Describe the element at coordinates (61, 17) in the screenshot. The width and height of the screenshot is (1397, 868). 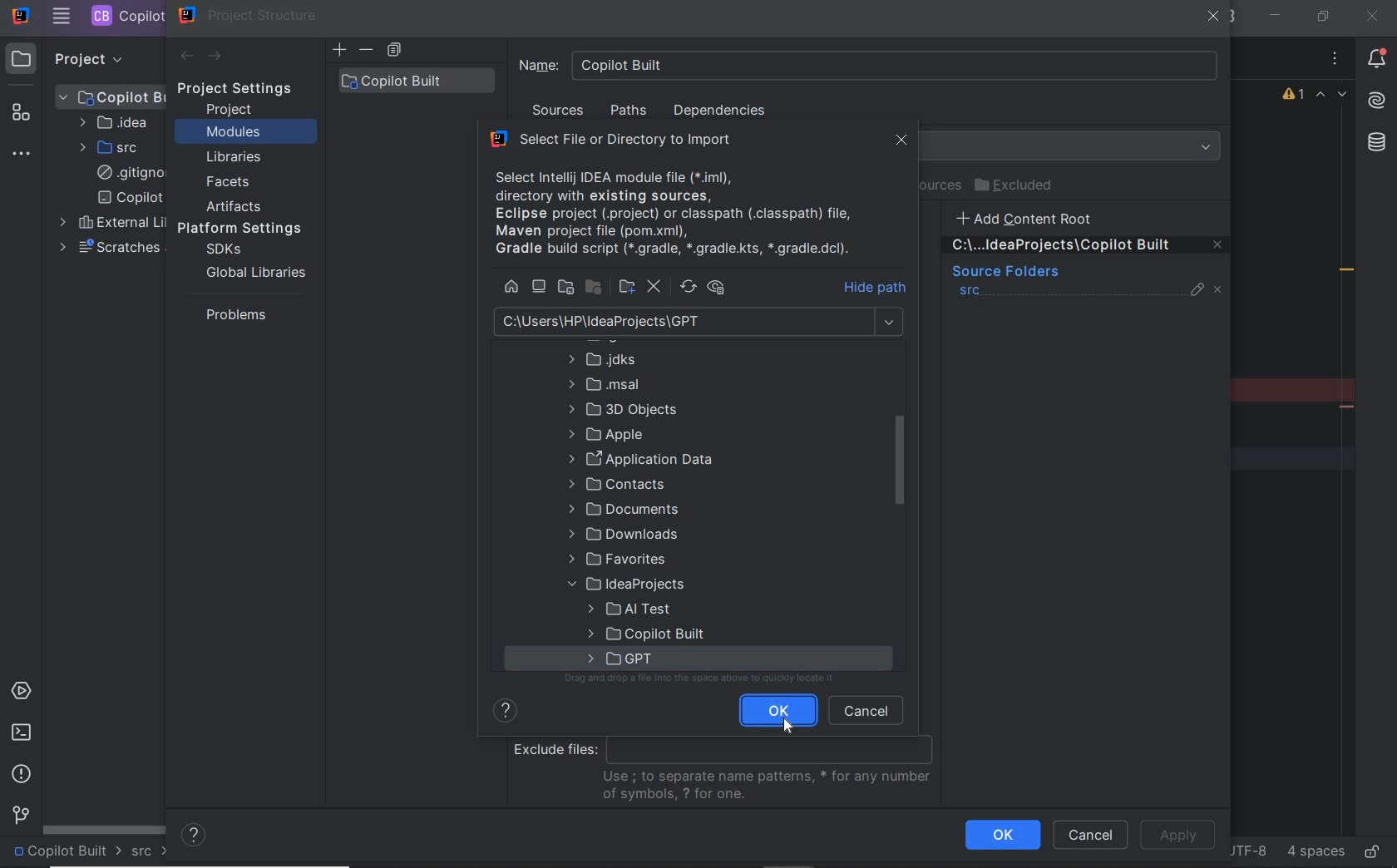
I see `MAIN MENU` at that location.